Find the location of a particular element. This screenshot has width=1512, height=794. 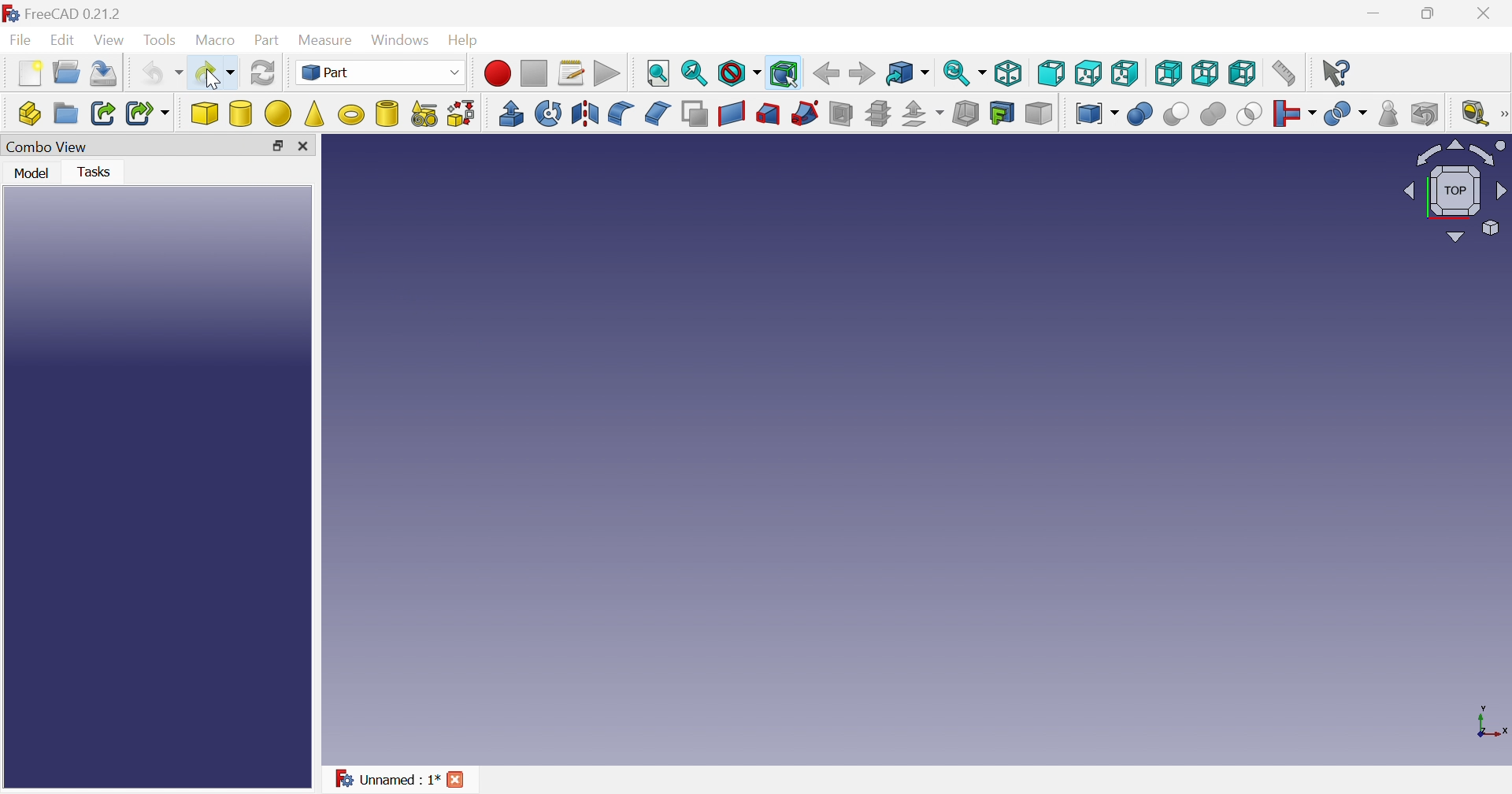

New is located at coordinates (31, 72).